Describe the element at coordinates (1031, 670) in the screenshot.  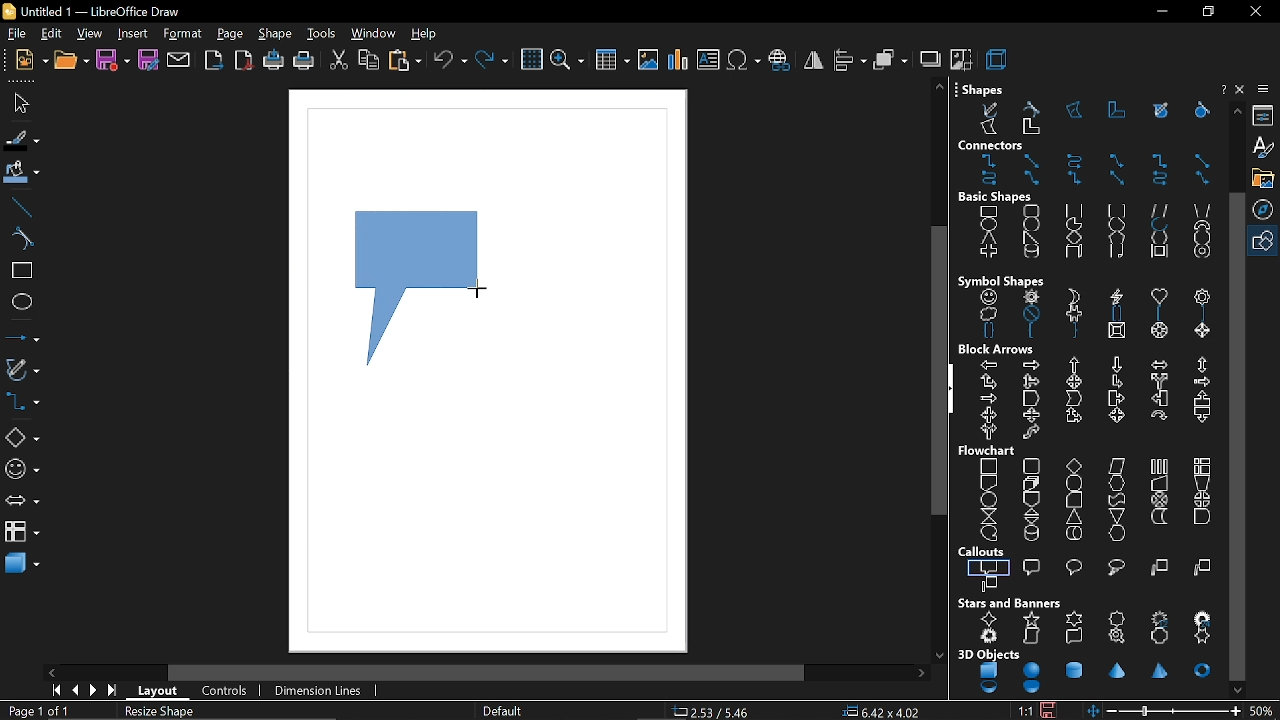
I see `sphere` at that location.